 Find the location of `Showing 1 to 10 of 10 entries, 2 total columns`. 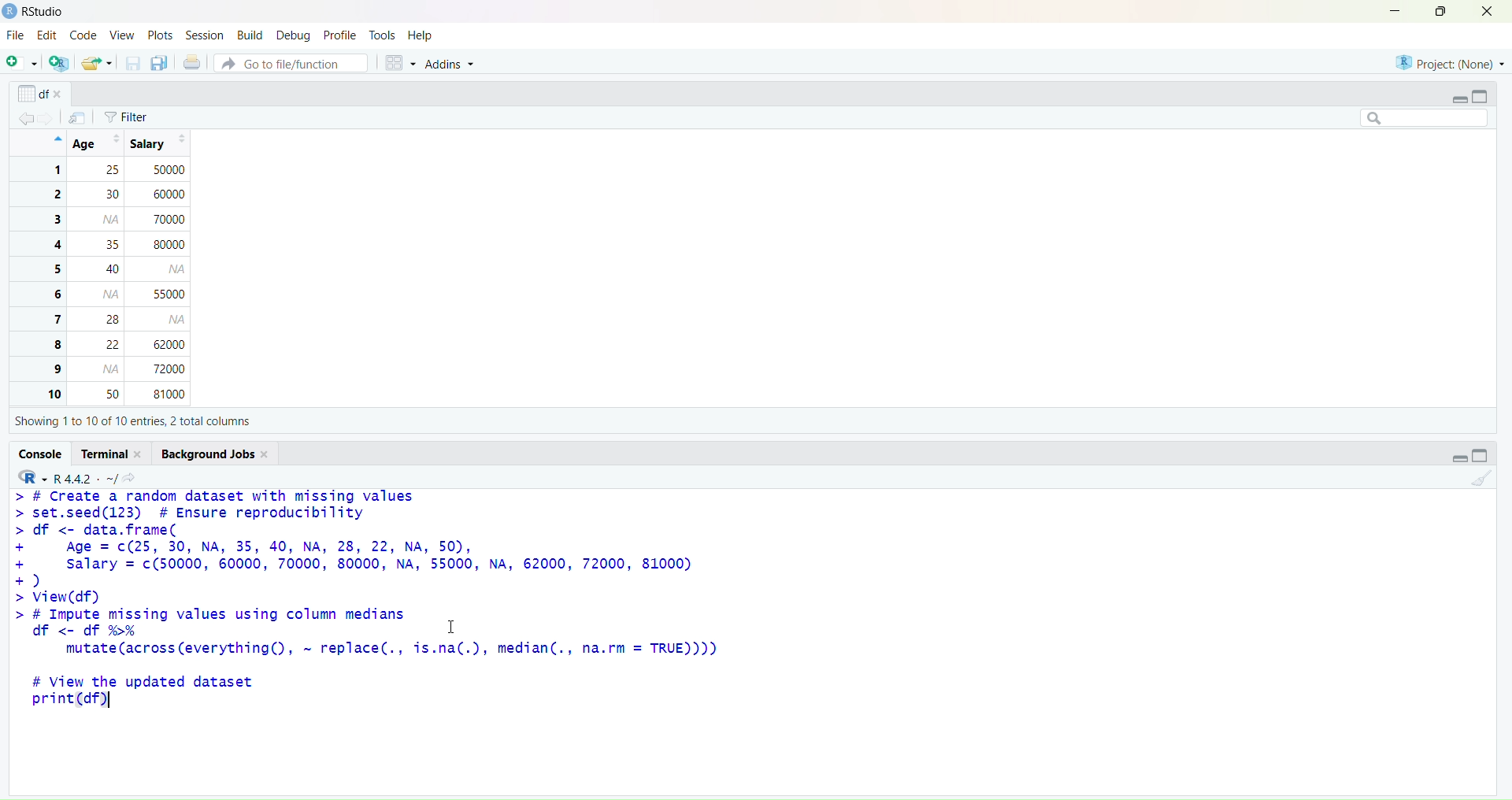

Showing 1 to 10 of 10 entries, 2 total columns is located at coordinates (129, 420).